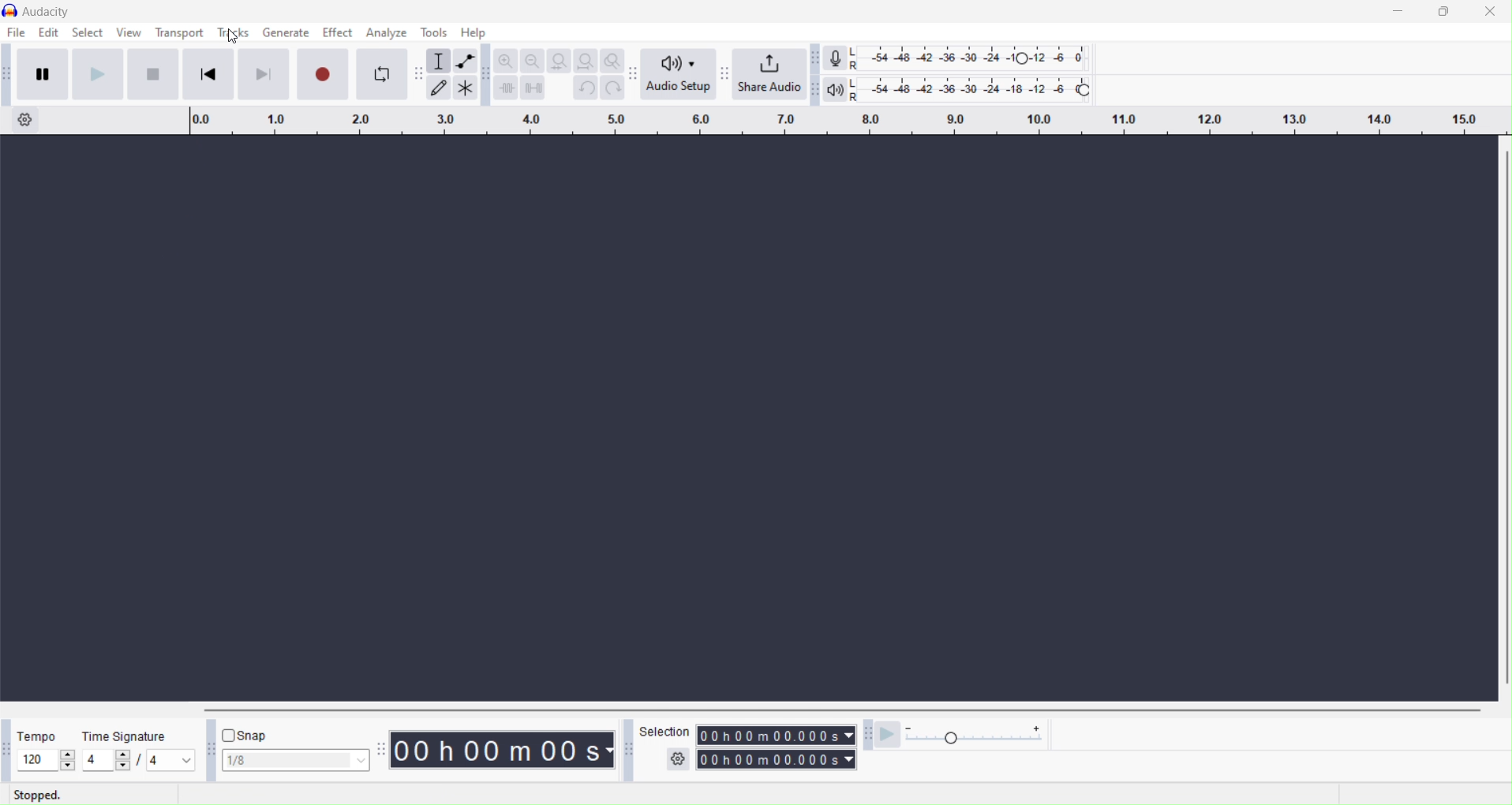 This screenshot has height=805, width=1512. What do you see at coordinates (48, 11) in the screenshot?
I see `current window: Audacity` at bounding box center [48, 11].